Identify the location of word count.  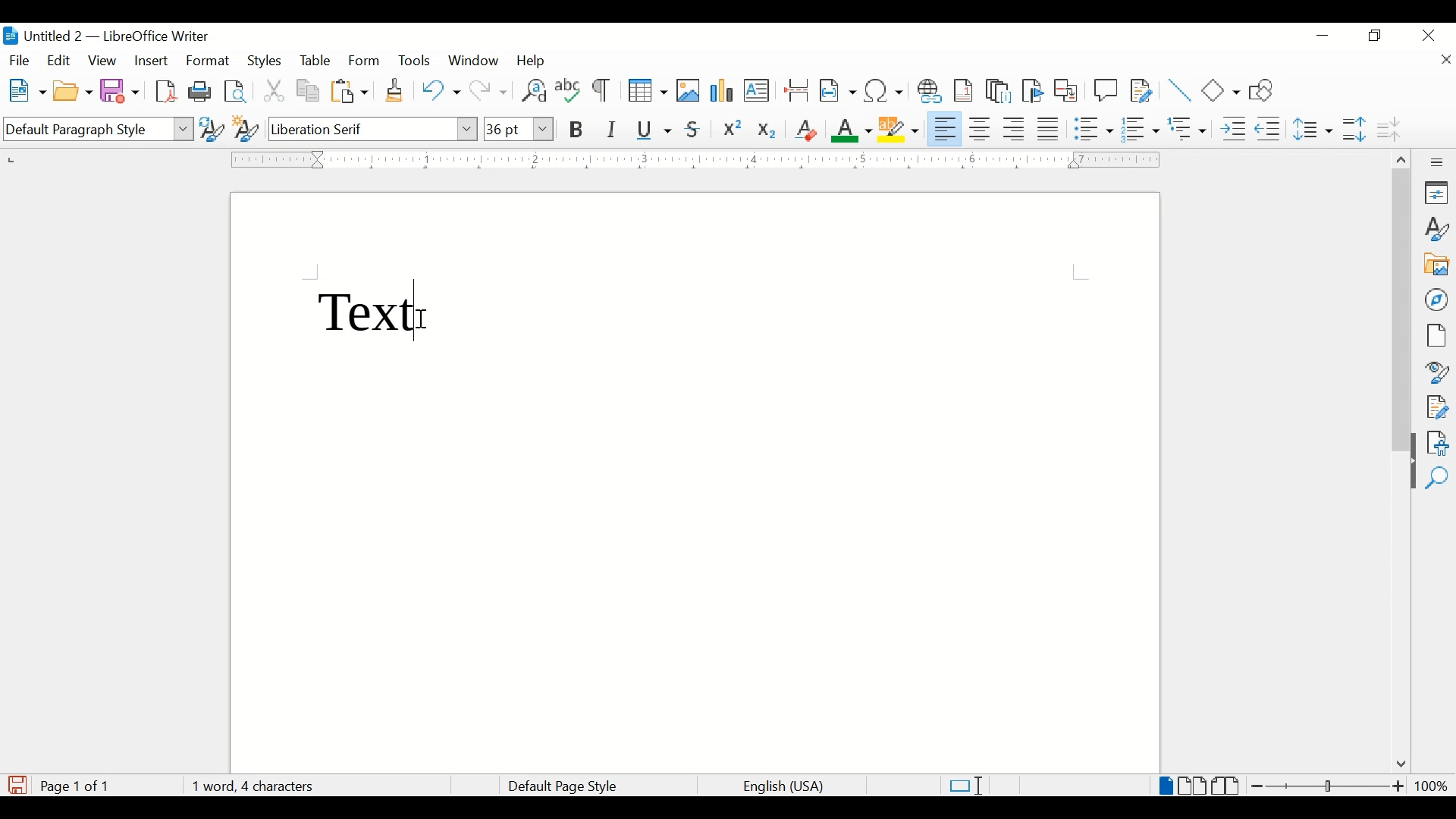
(253, 786).